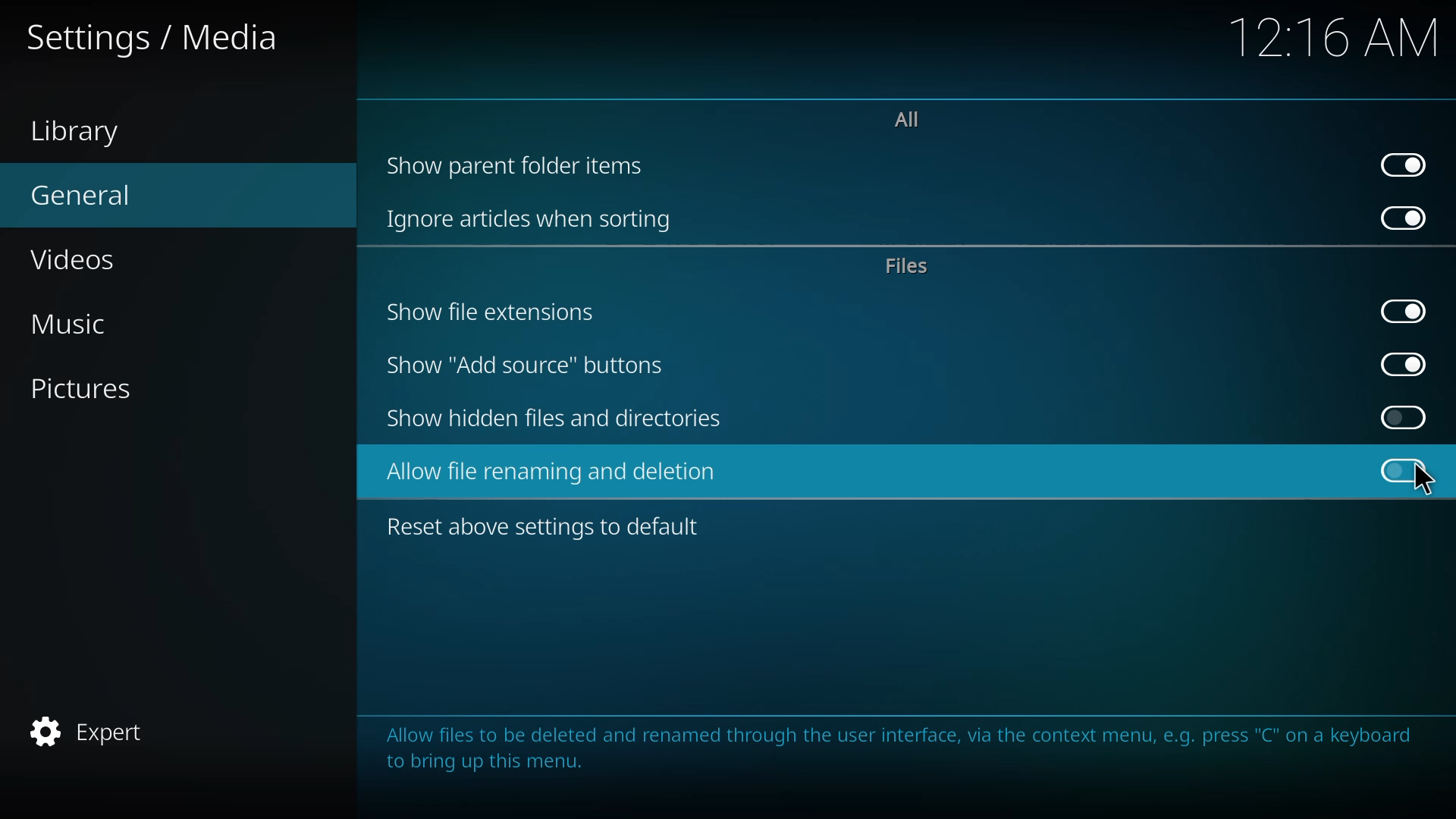  Describe the element at coordinates (1420, 483) in the screenshot. I see `cursor` at that location.